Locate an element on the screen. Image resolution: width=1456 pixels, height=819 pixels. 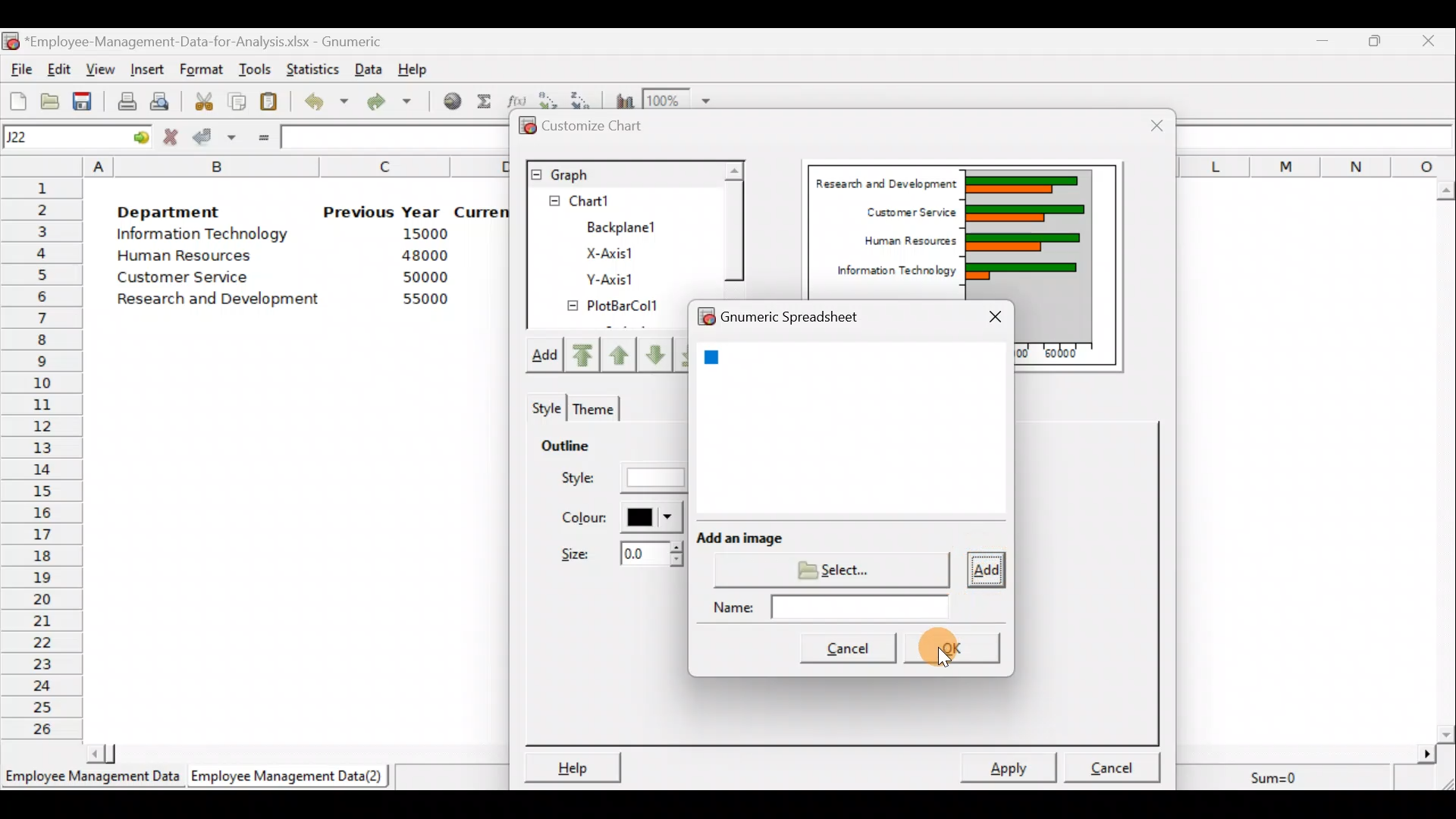
Scroll bar is located at coordinates (1447, 457).